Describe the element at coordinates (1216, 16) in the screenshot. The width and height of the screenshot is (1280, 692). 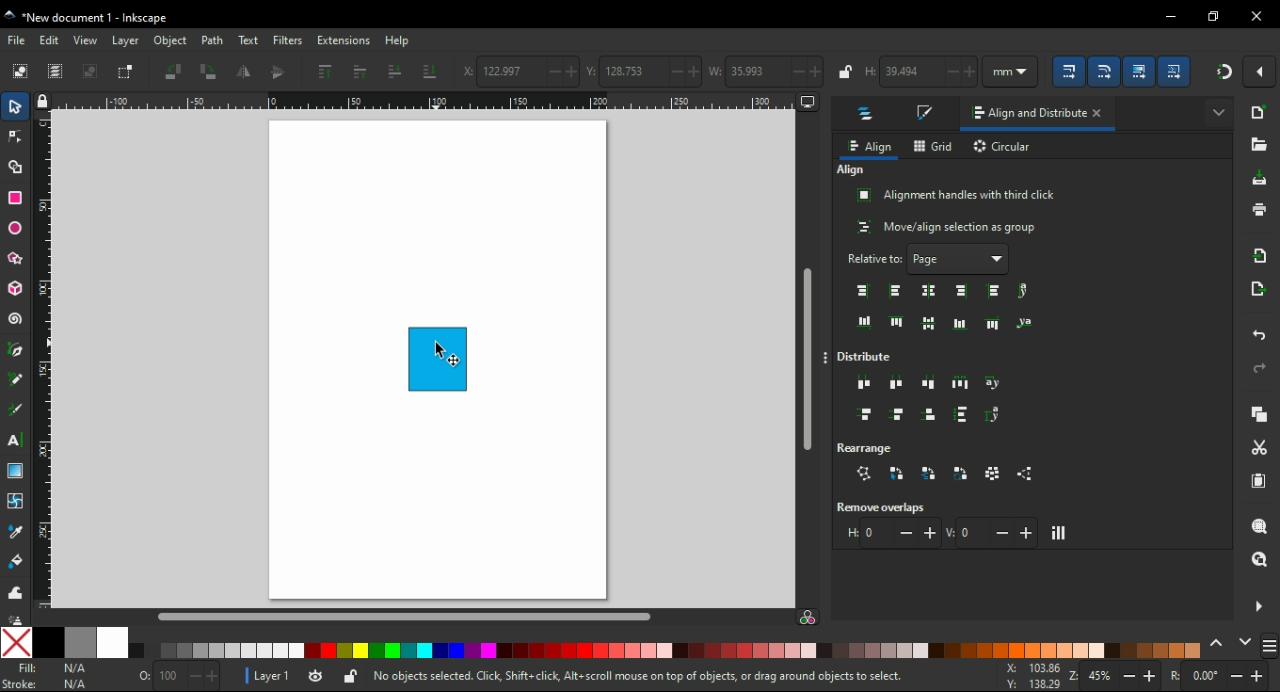
I see `restore` at that location.